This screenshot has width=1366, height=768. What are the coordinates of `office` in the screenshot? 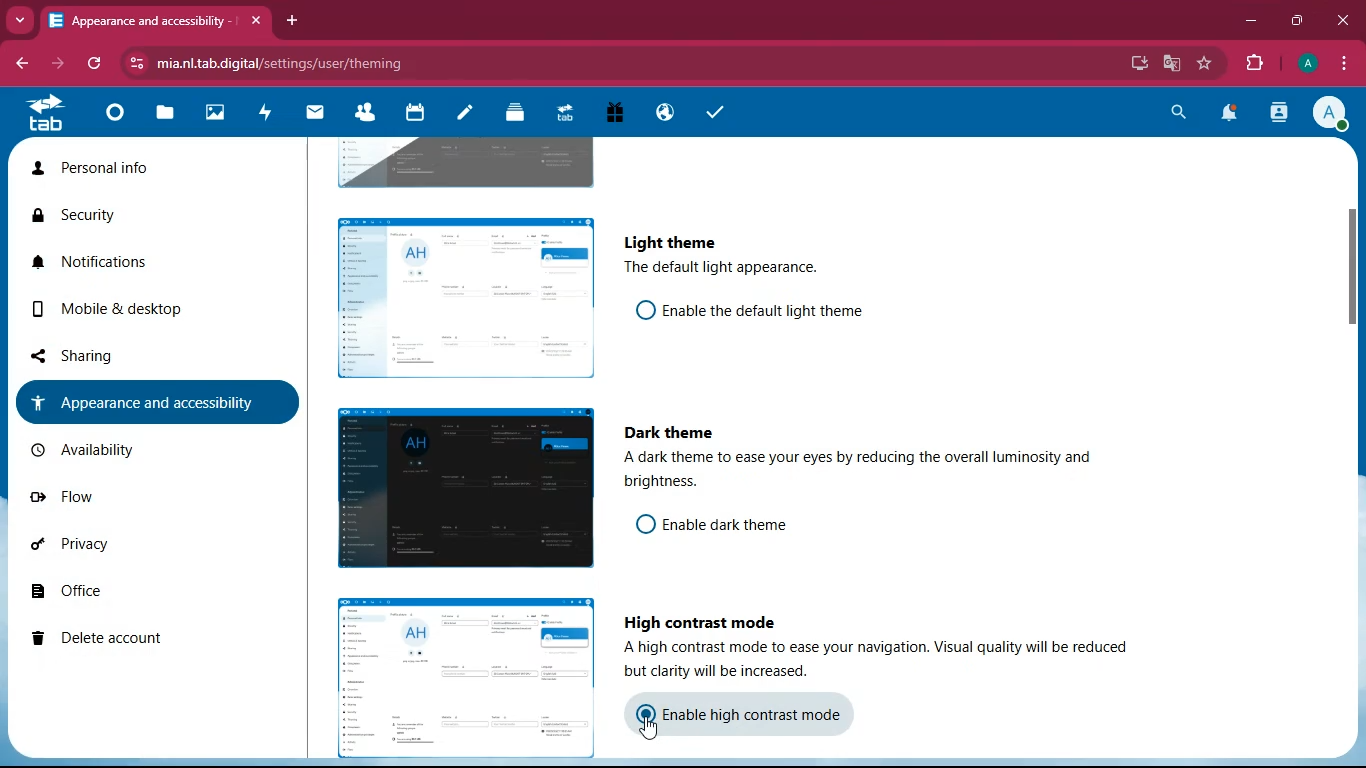 It's located at (126, 595).